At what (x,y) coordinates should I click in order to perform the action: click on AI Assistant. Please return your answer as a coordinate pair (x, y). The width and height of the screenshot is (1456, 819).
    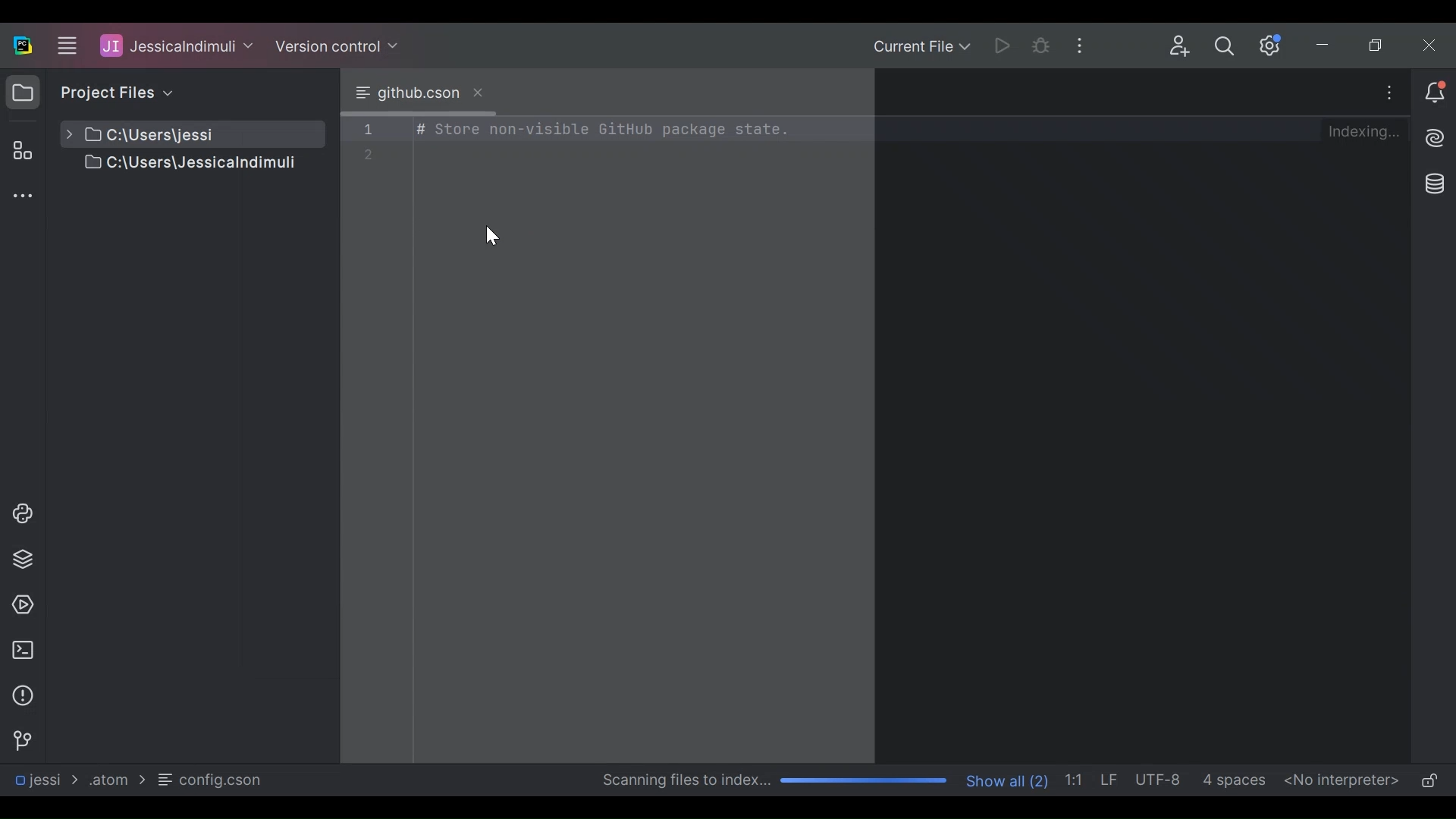
    Looking at the image, I should click on (1434, 138).